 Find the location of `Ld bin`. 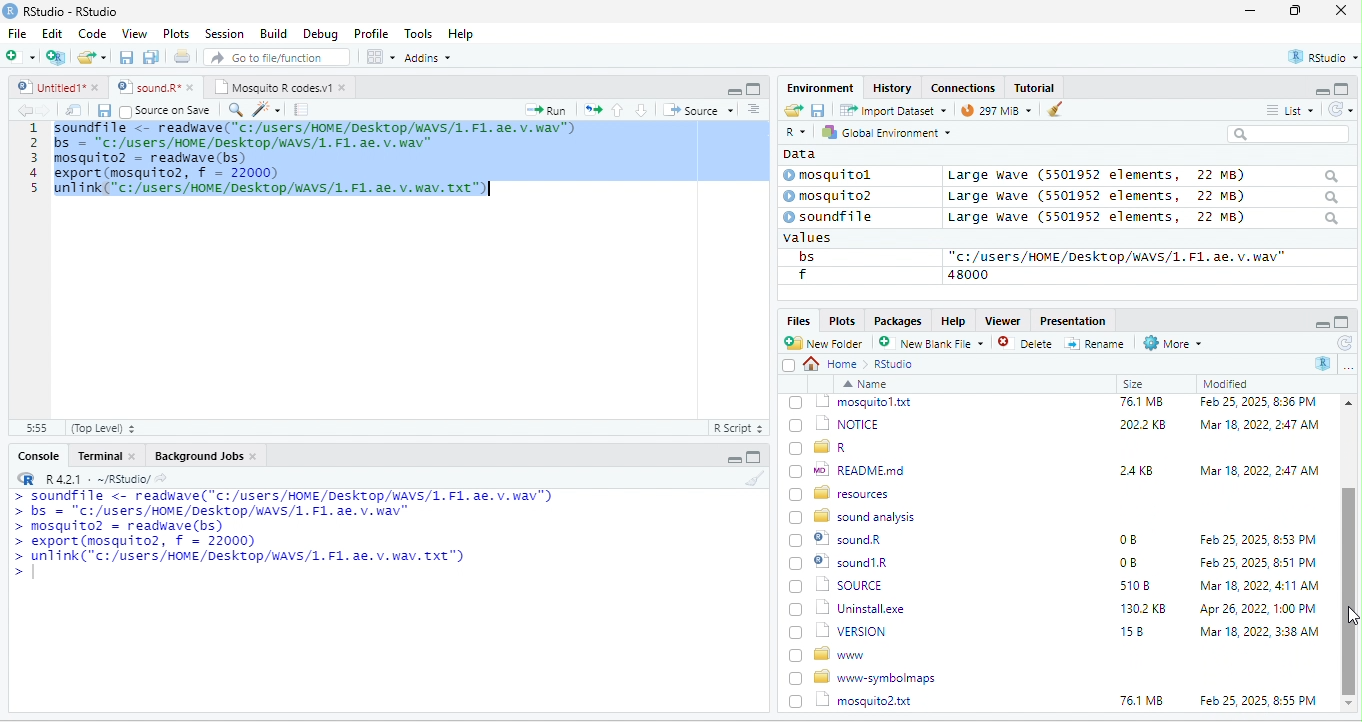

Ld bin is located at coordinates (825, 450).